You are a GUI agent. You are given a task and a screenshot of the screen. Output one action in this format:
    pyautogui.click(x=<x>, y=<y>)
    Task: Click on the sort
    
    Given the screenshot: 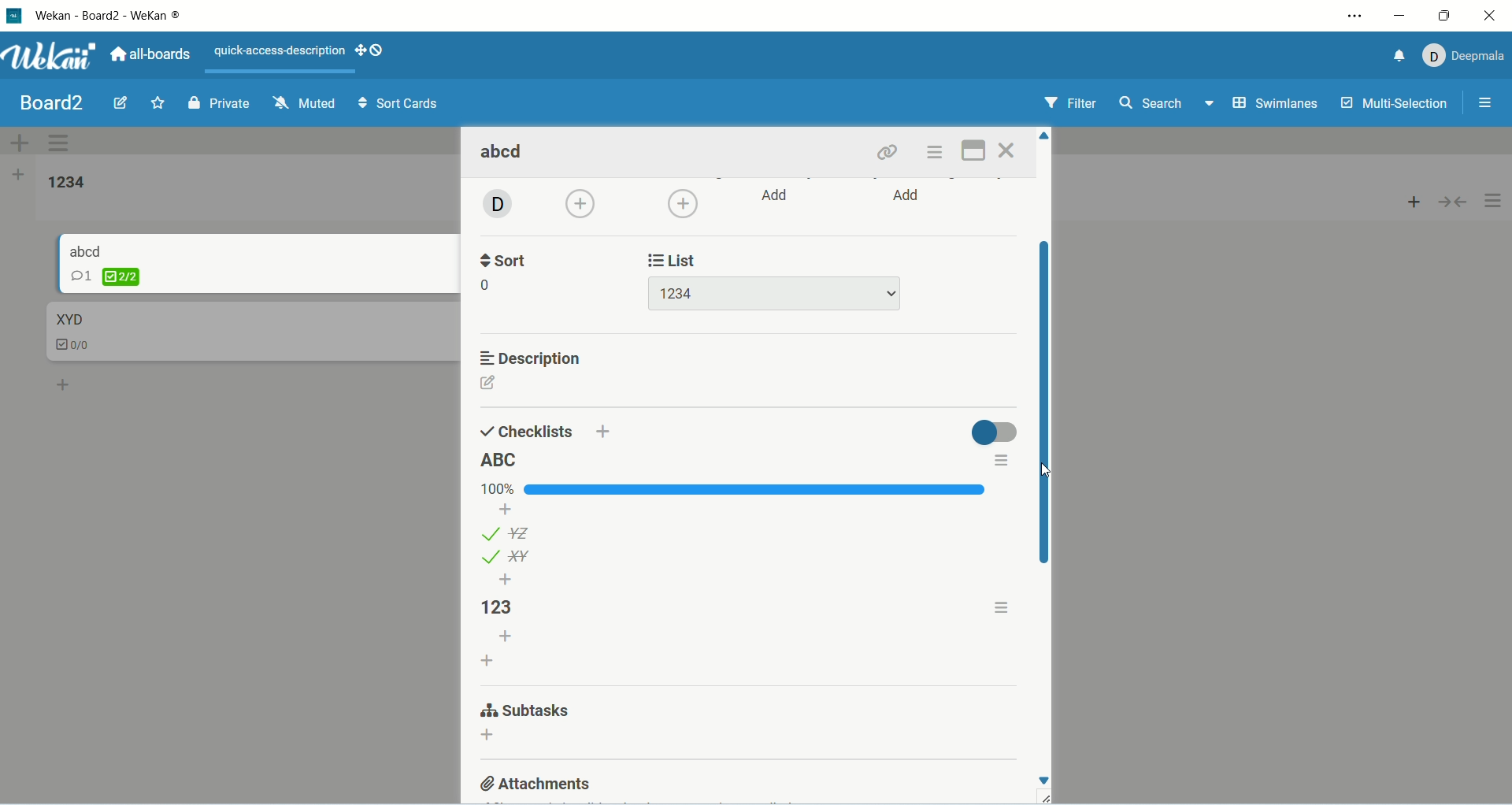 What is the action you would take?
    pyautogui.click(x=507, y=258)
    